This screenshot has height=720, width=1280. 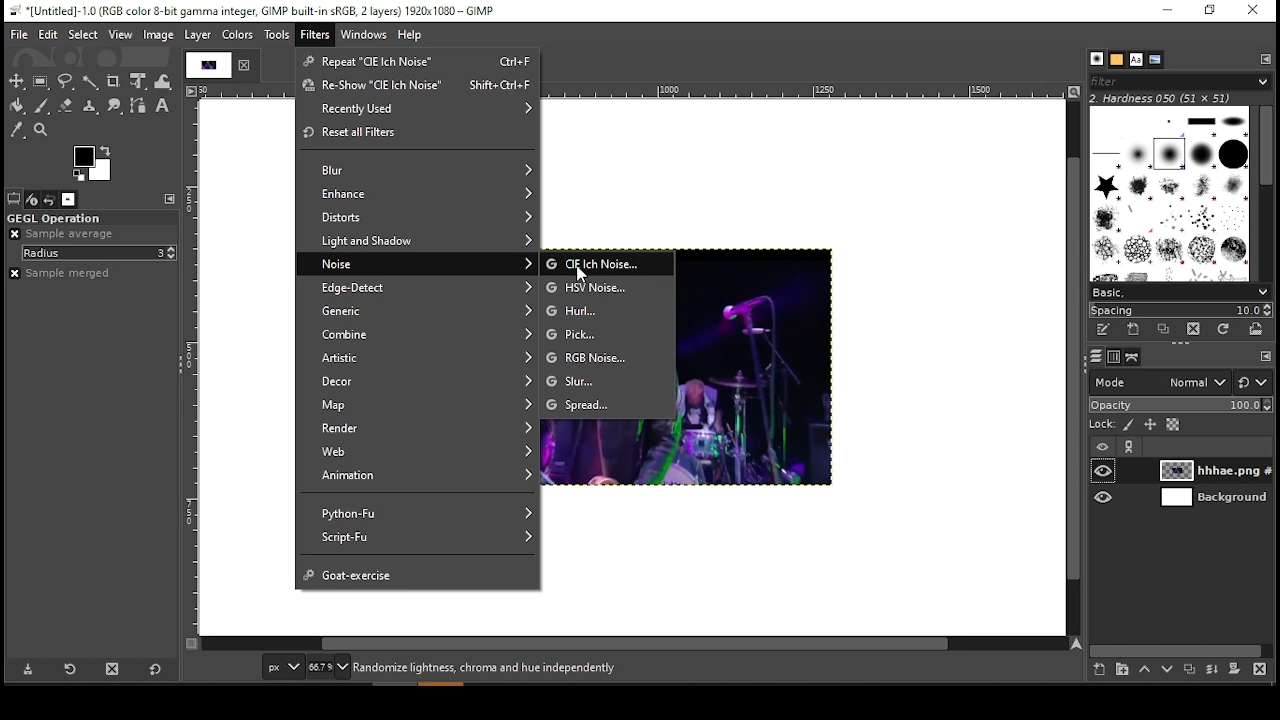 What do you see at coordinates (1212, 497) in the screenshot?
I see `layer ` at bounding box center [1212, 497].